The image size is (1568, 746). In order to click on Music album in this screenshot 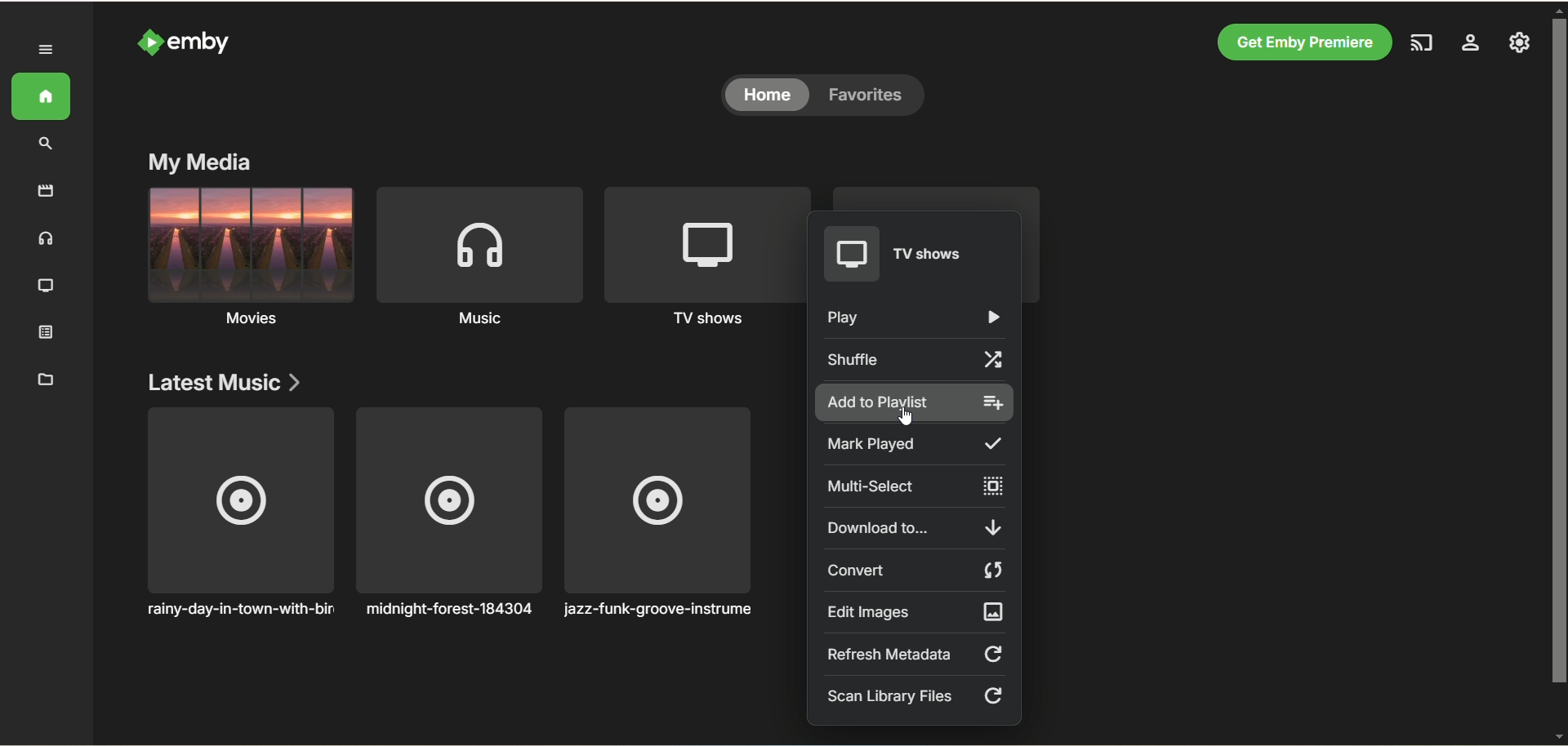, I will do `click(449, 513)`.